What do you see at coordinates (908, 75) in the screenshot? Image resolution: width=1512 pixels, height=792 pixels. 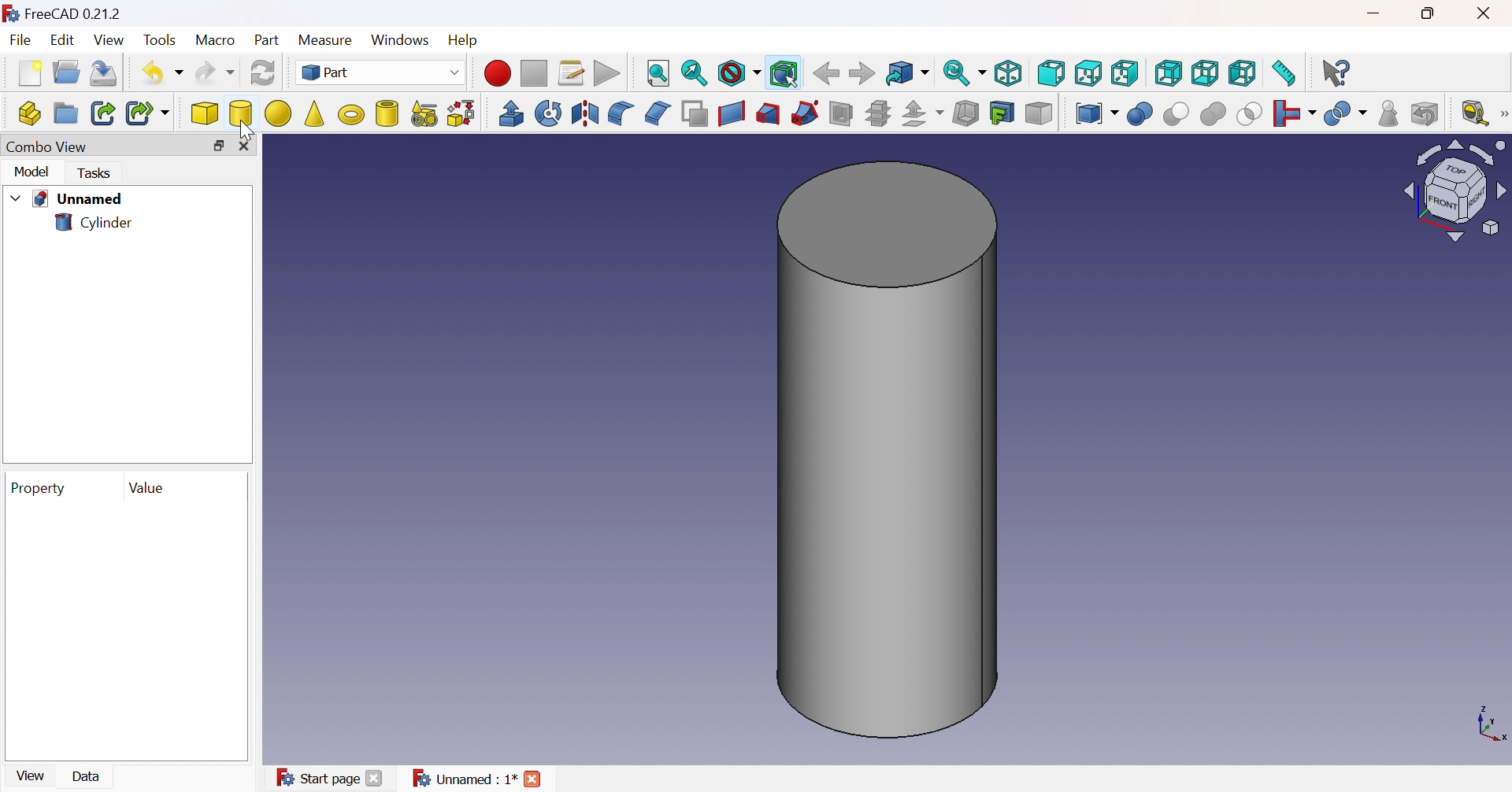 I see `Go to linked object` at bounding box center [908, 75].